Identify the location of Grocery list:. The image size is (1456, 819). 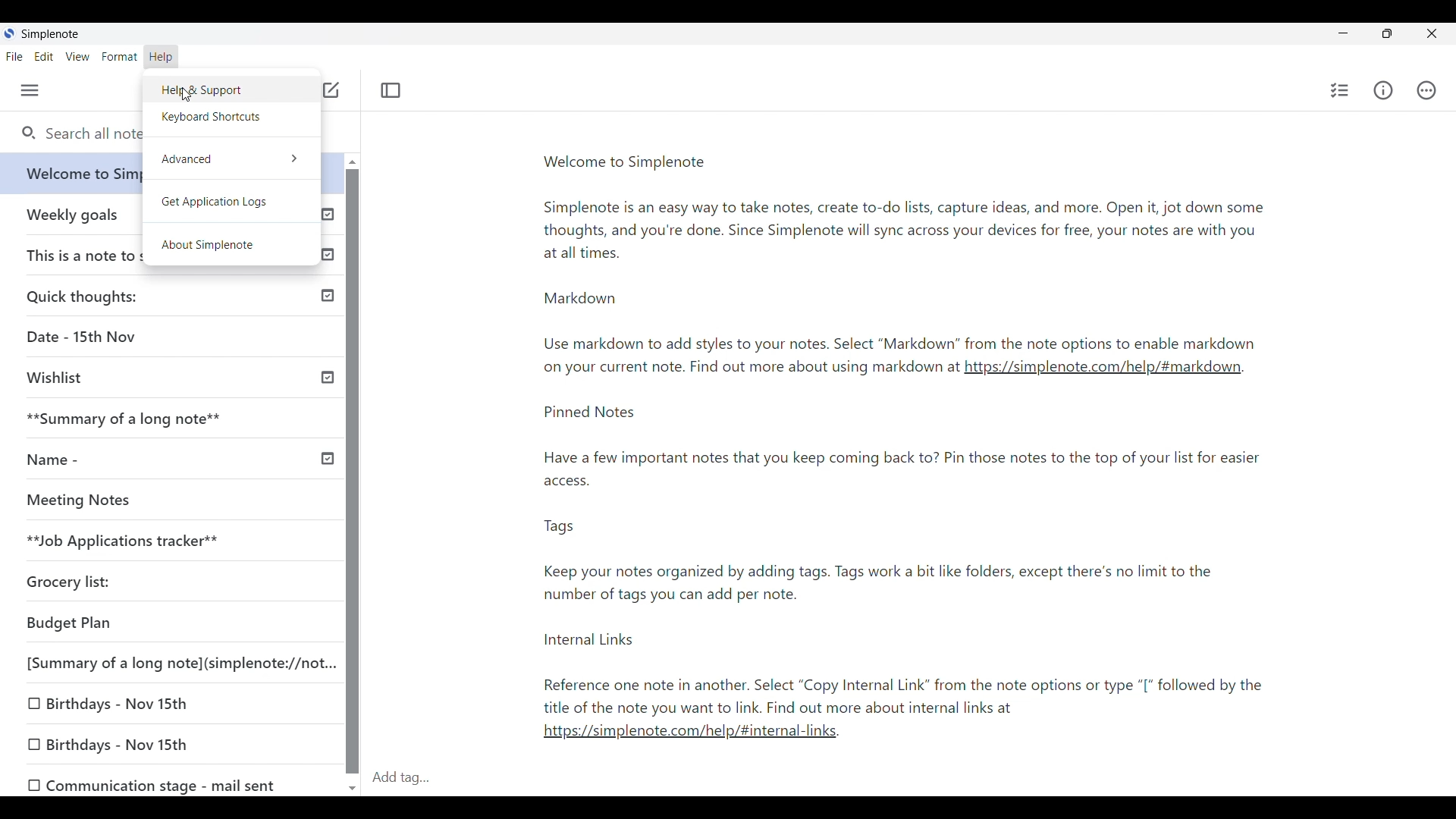
(72, 579).